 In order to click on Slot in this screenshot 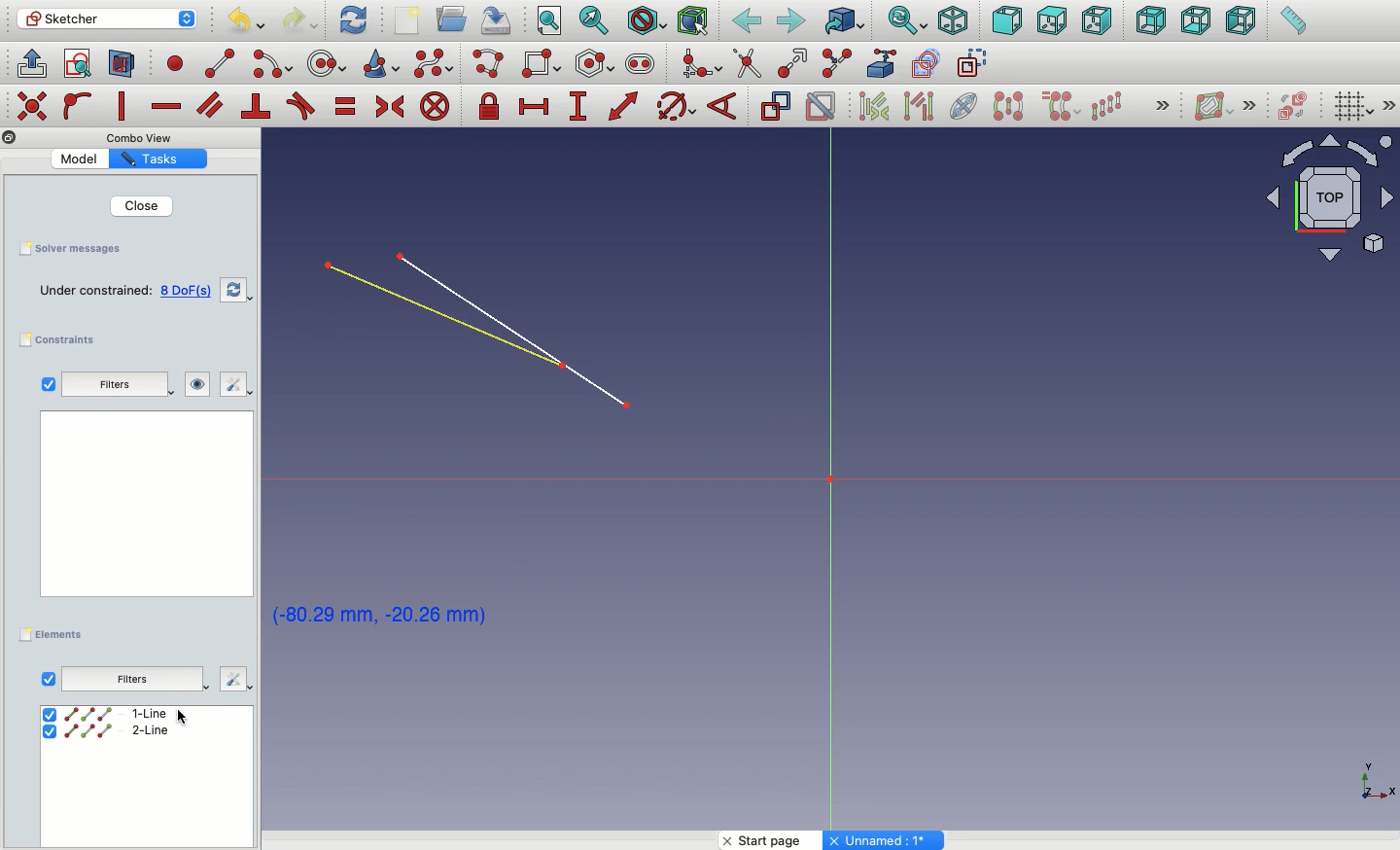, I will do `click(641, 64)`.